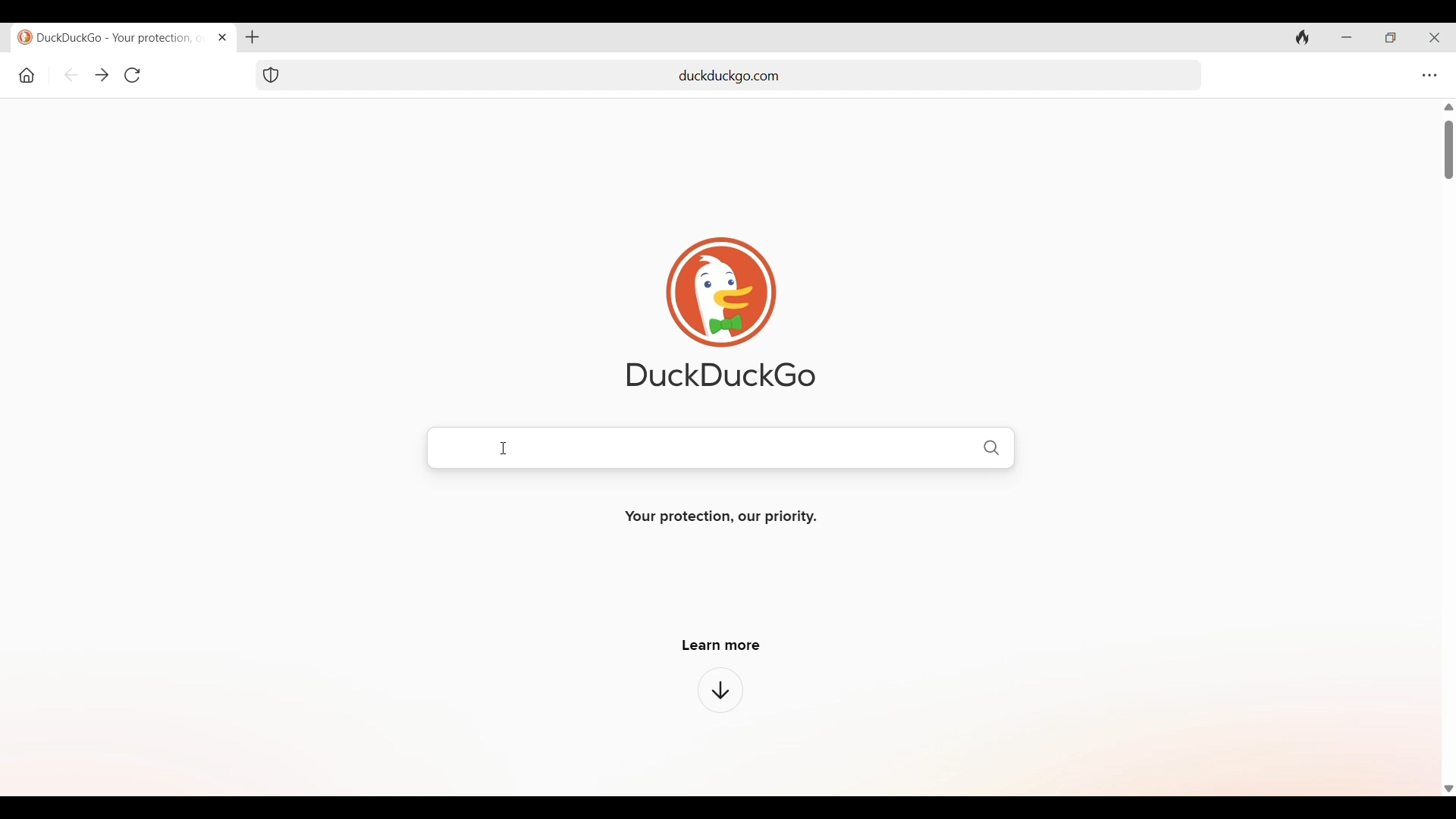 This screenshot has height=819, width=1456. What do you see at coordinates (1346, 38) in the screenshot?
I see `Minimize` at bounding box center [1346, 38].